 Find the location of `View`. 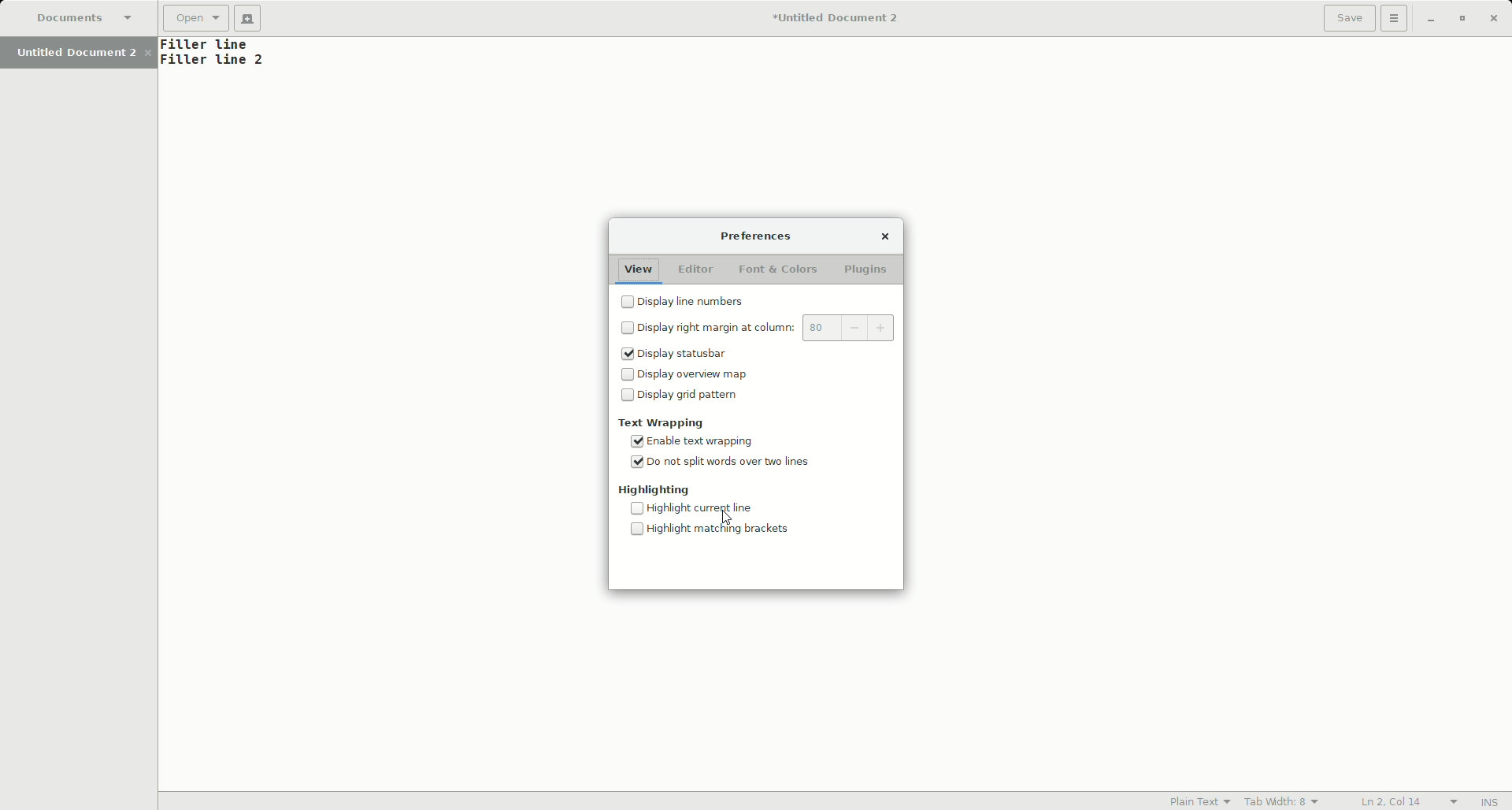

View is located at coordinates (637, 266).